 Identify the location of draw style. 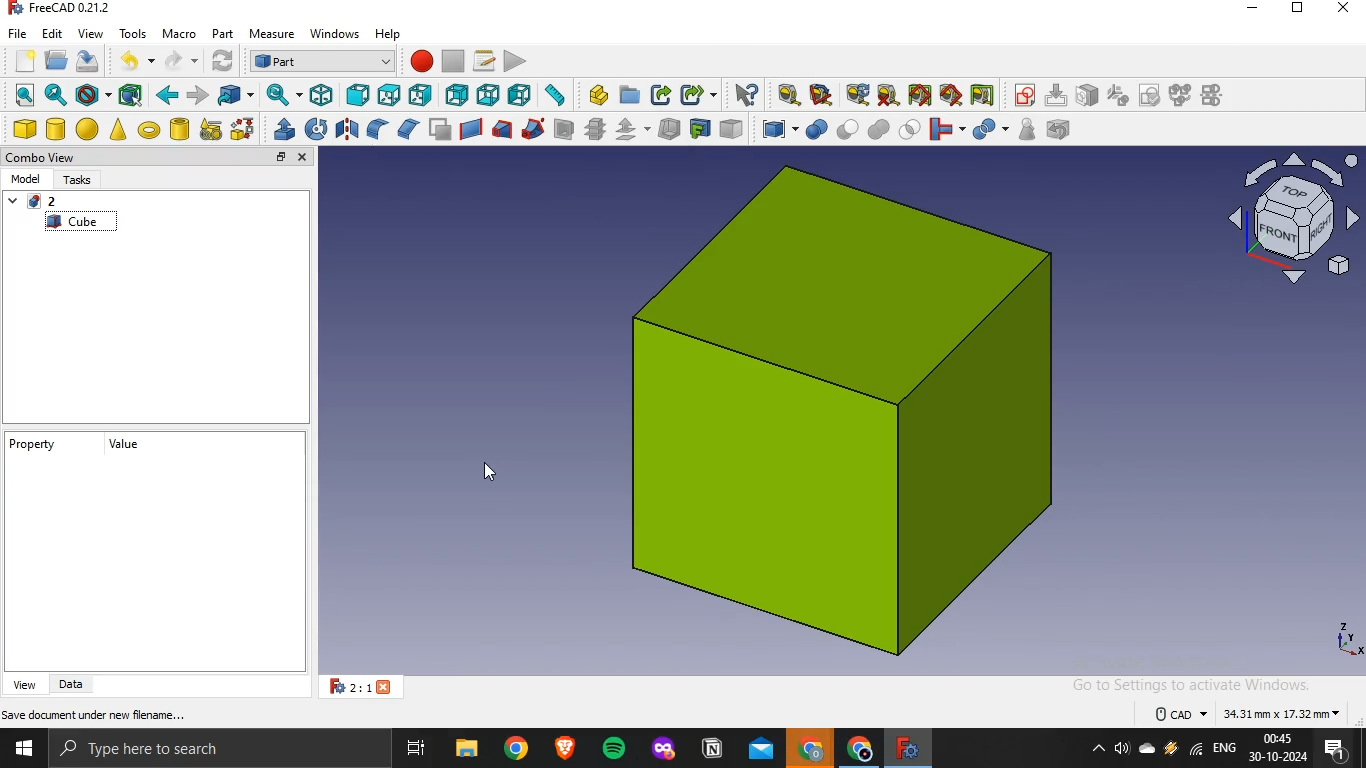
(87, 93).